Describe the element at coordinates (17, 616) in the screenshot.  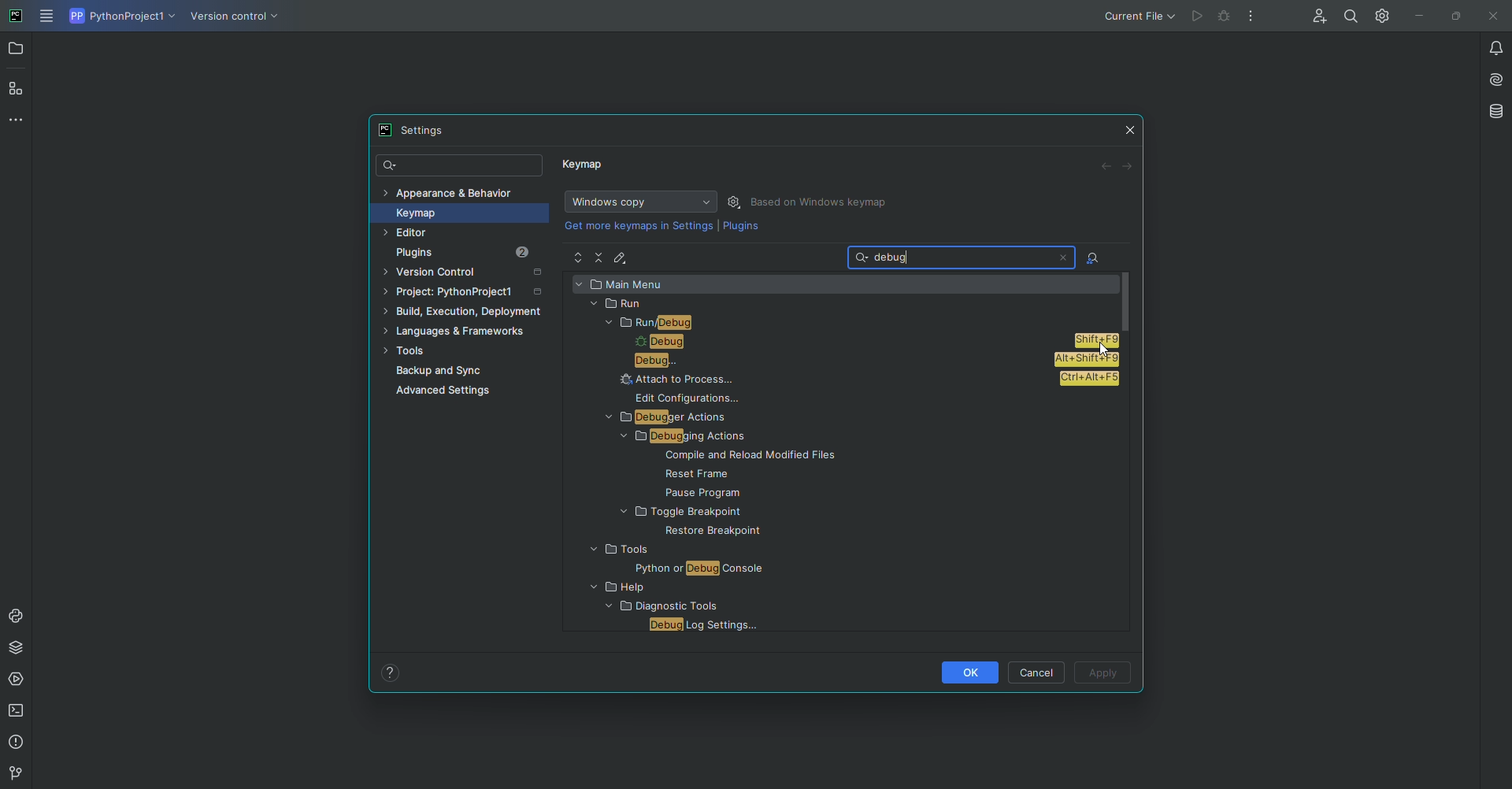
I see `Console` at that location.